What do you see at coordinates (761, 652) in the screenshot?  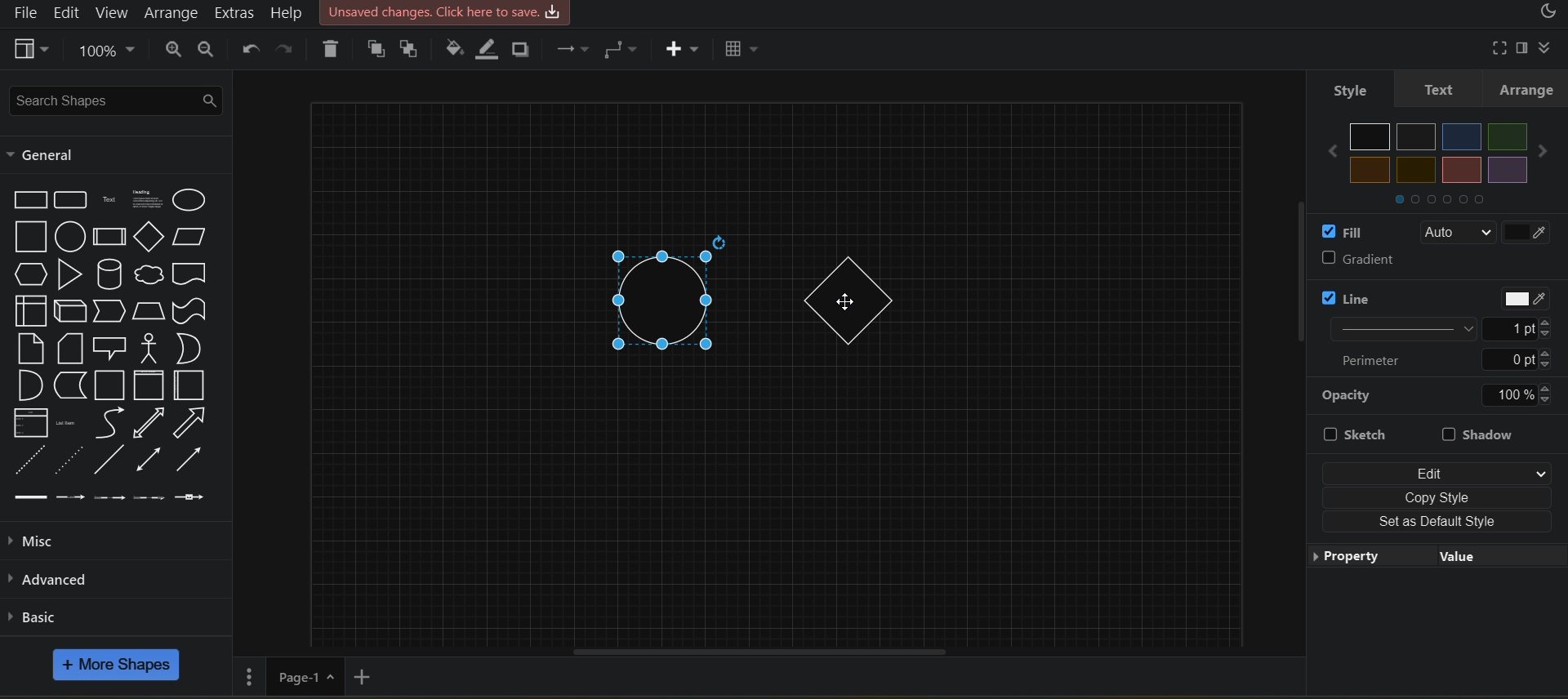 I see `horizontal scroll bar` at bounding box center [761, 652].